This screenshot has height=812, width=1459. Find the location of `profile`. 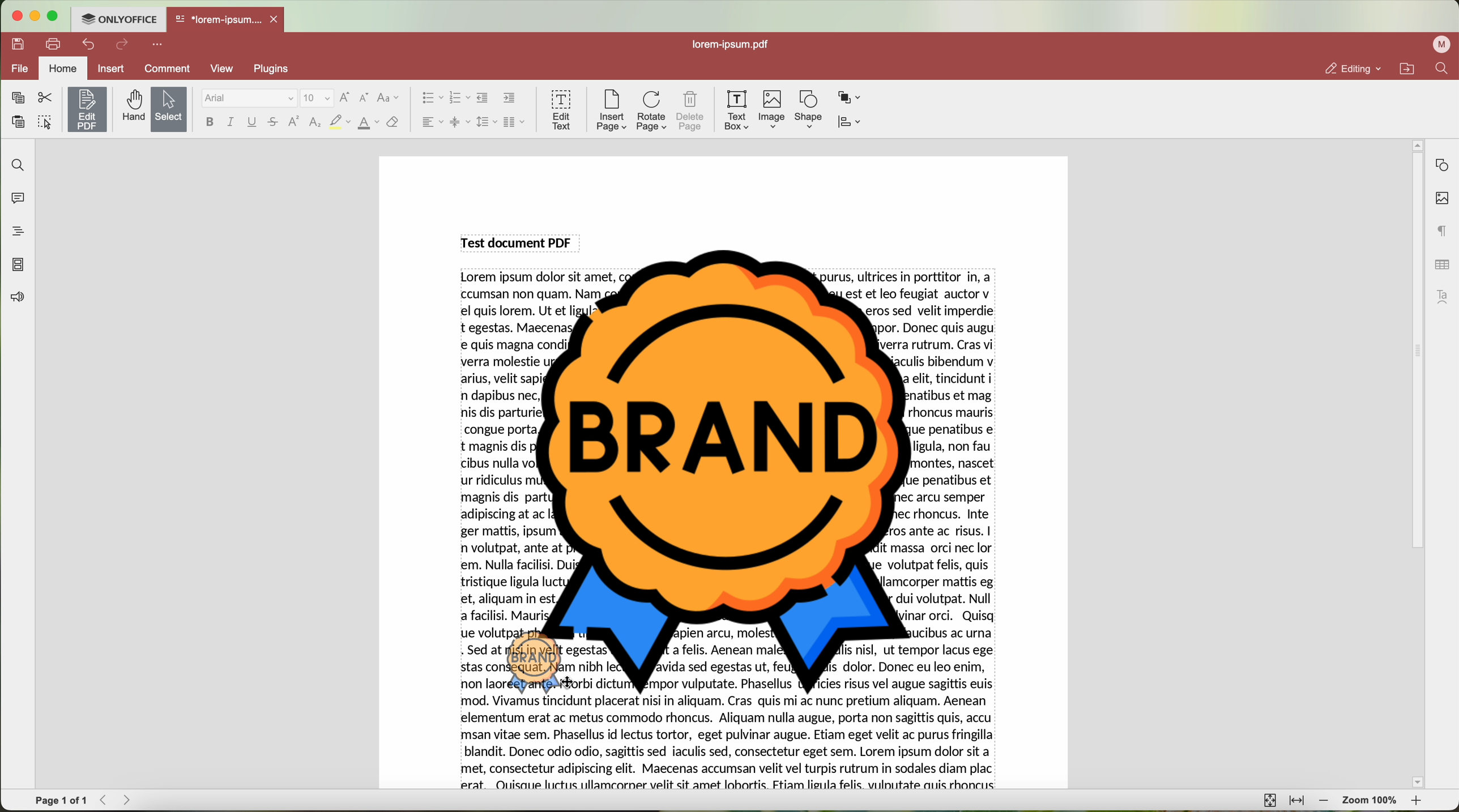

profile is located at coordinates (1444, 44).